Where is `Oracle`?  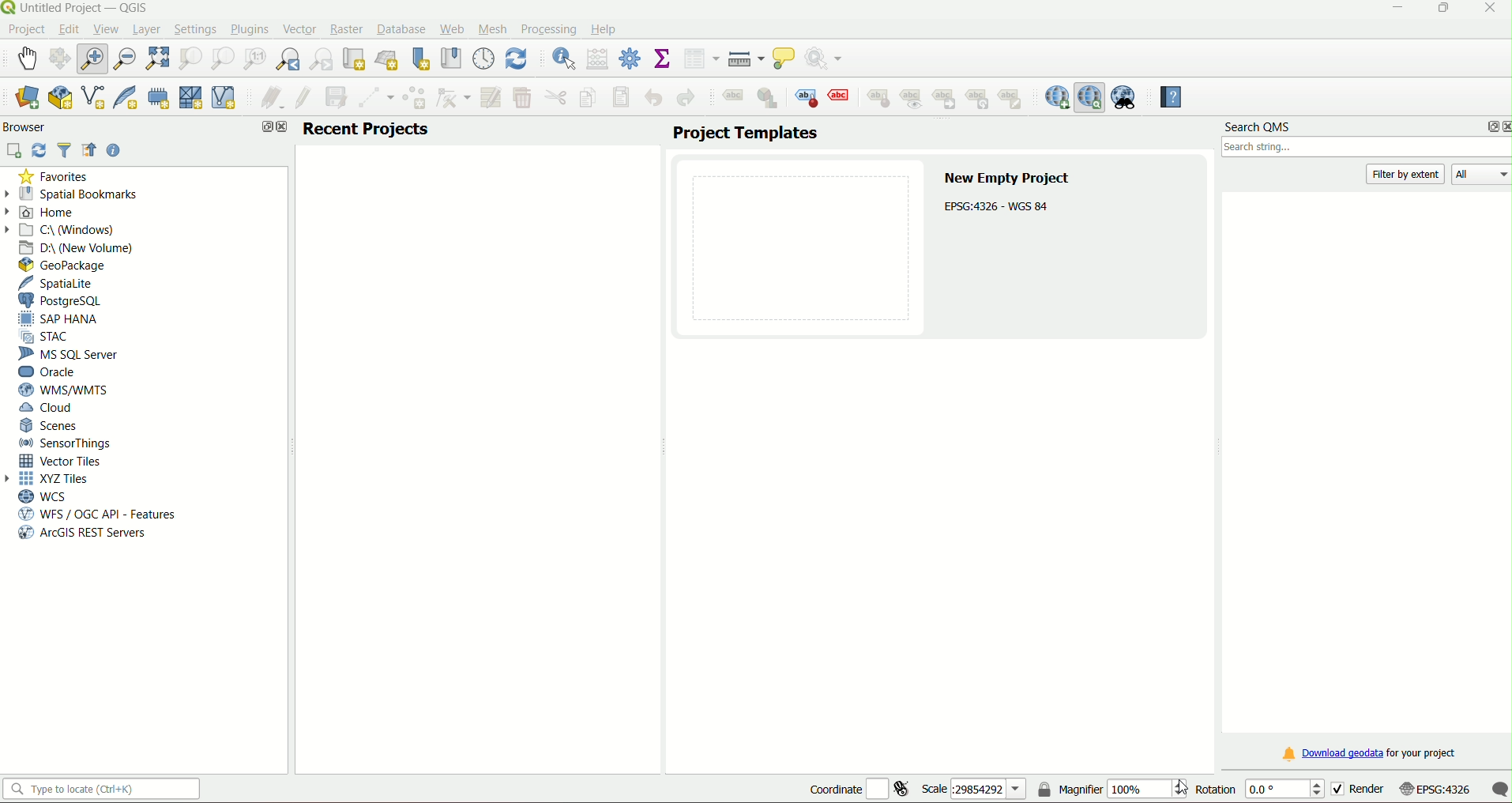
Oracle is located at coordinates (51, 371).